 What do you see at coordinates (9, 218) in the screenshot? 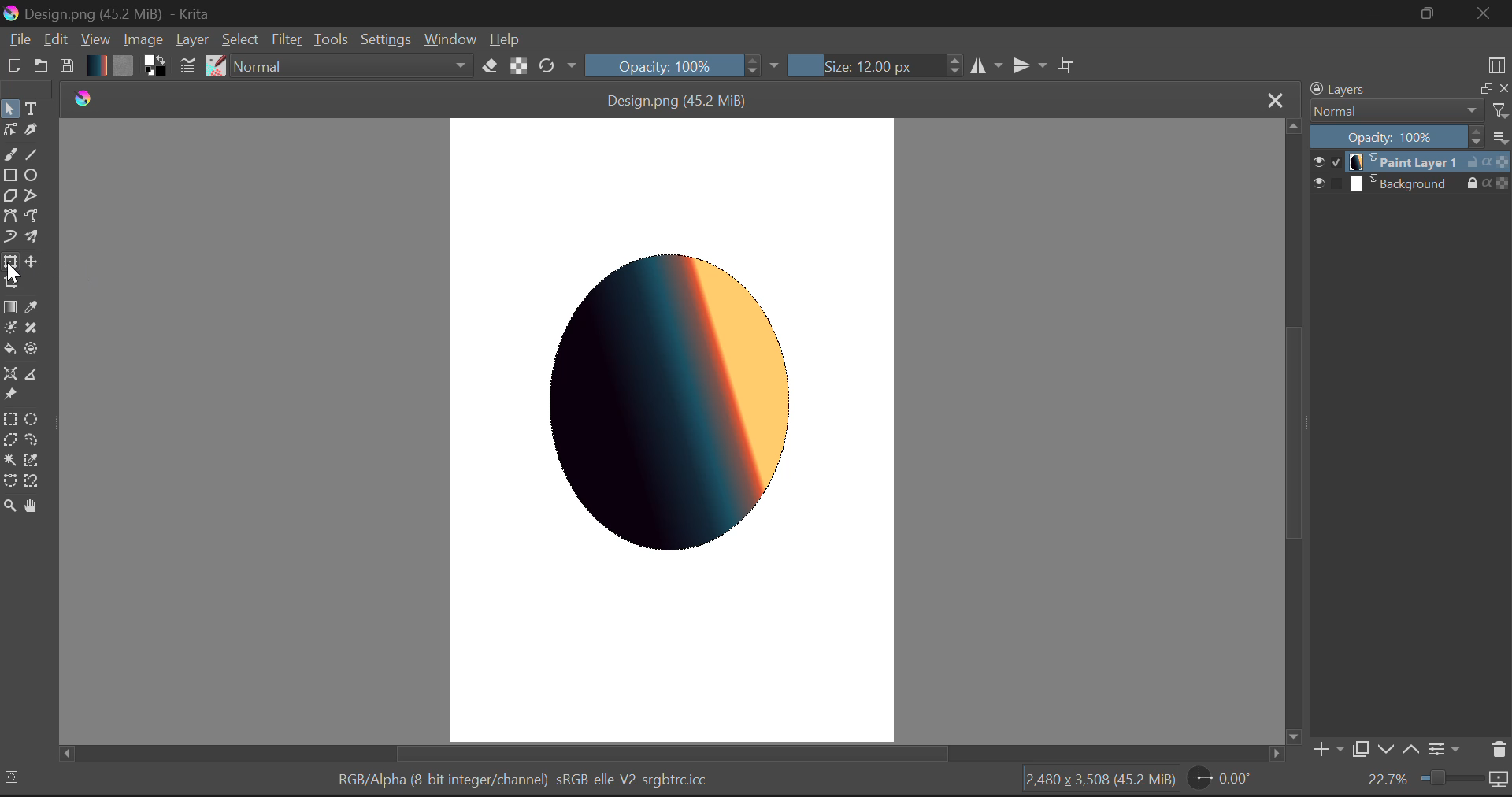
I see `Bezier Curve` at bounding box center [9, 218].